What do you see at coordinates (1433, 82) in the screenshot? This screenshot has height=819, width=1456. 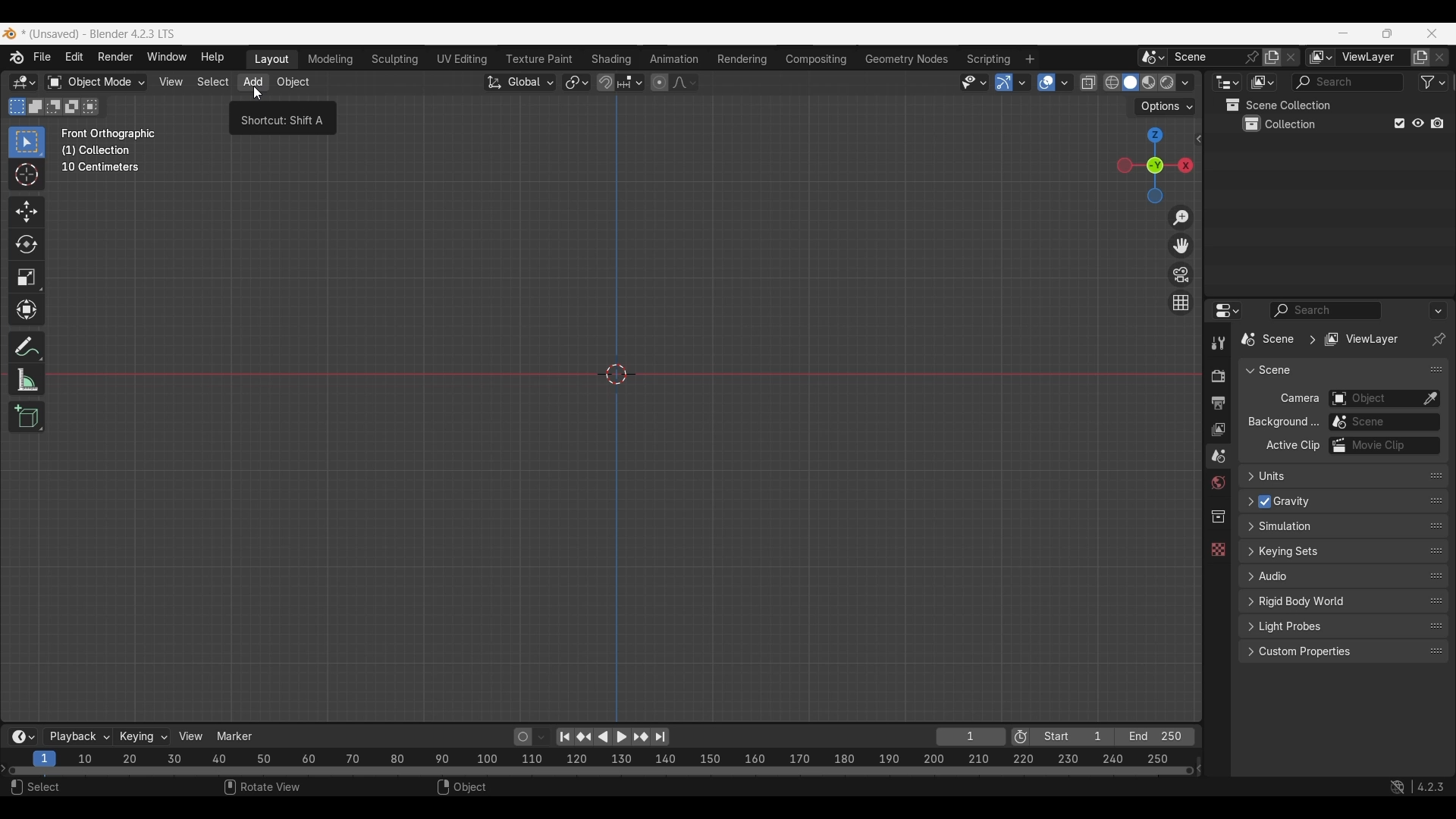 I see `Filter` at bounding box center [1433, 82].